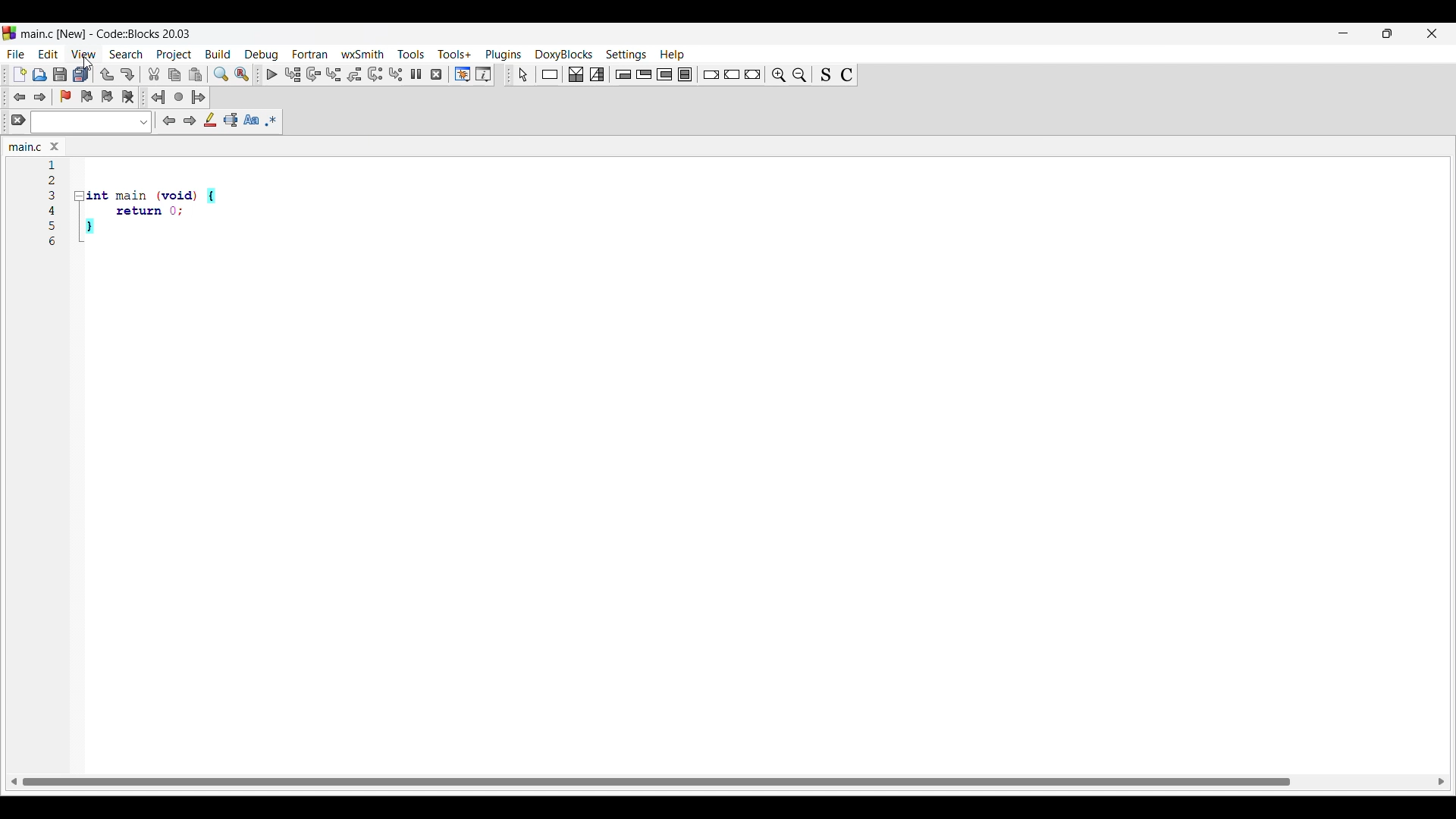 This screenshot has height=819, width=1456. Describe the element at coordinates (81, 74) in the screenshot. I see `Save everything` at that location.